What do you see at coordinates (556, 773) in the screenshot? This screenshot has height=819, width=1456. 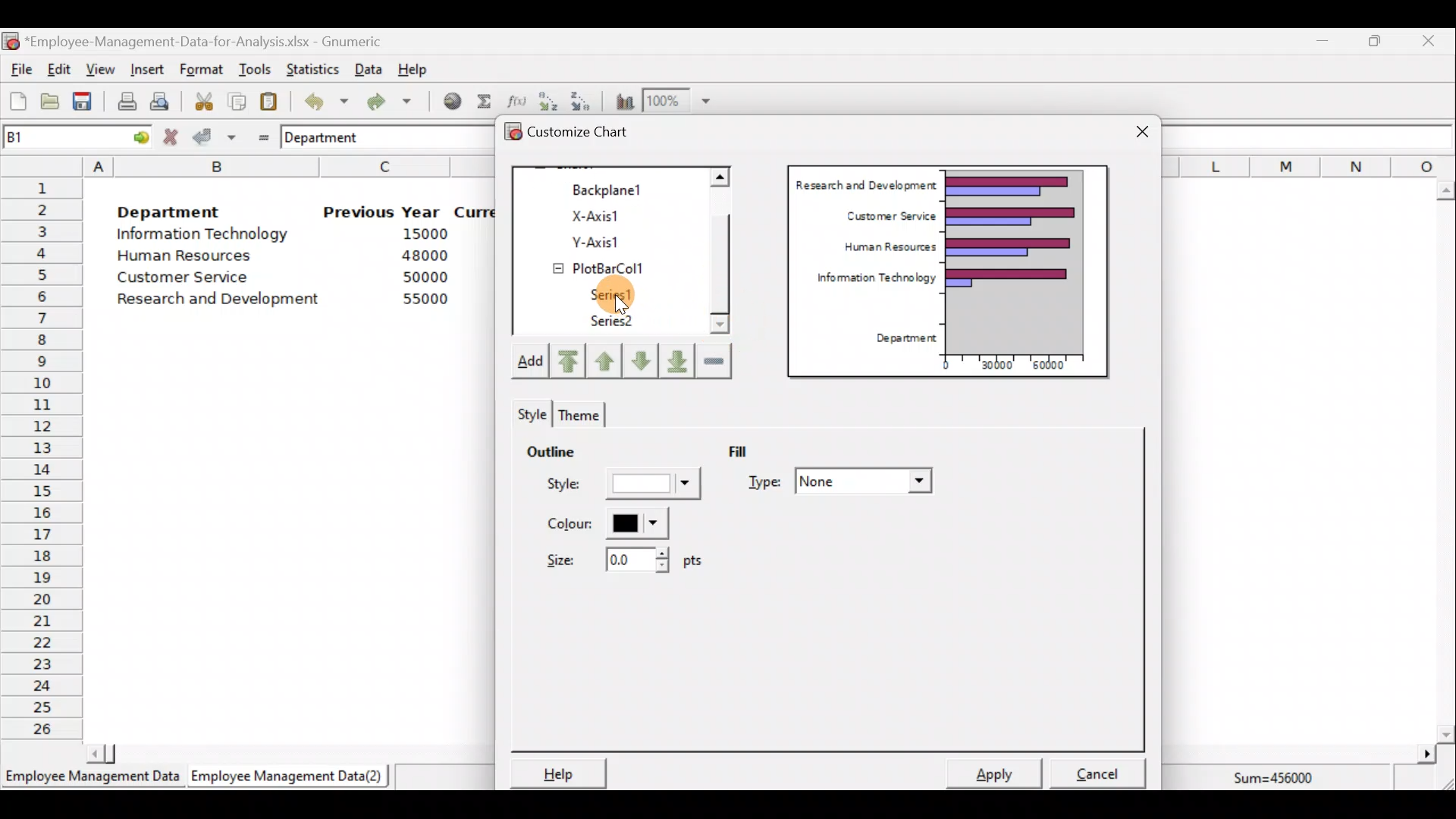 I see `Help` at bounding box center [556, 773].